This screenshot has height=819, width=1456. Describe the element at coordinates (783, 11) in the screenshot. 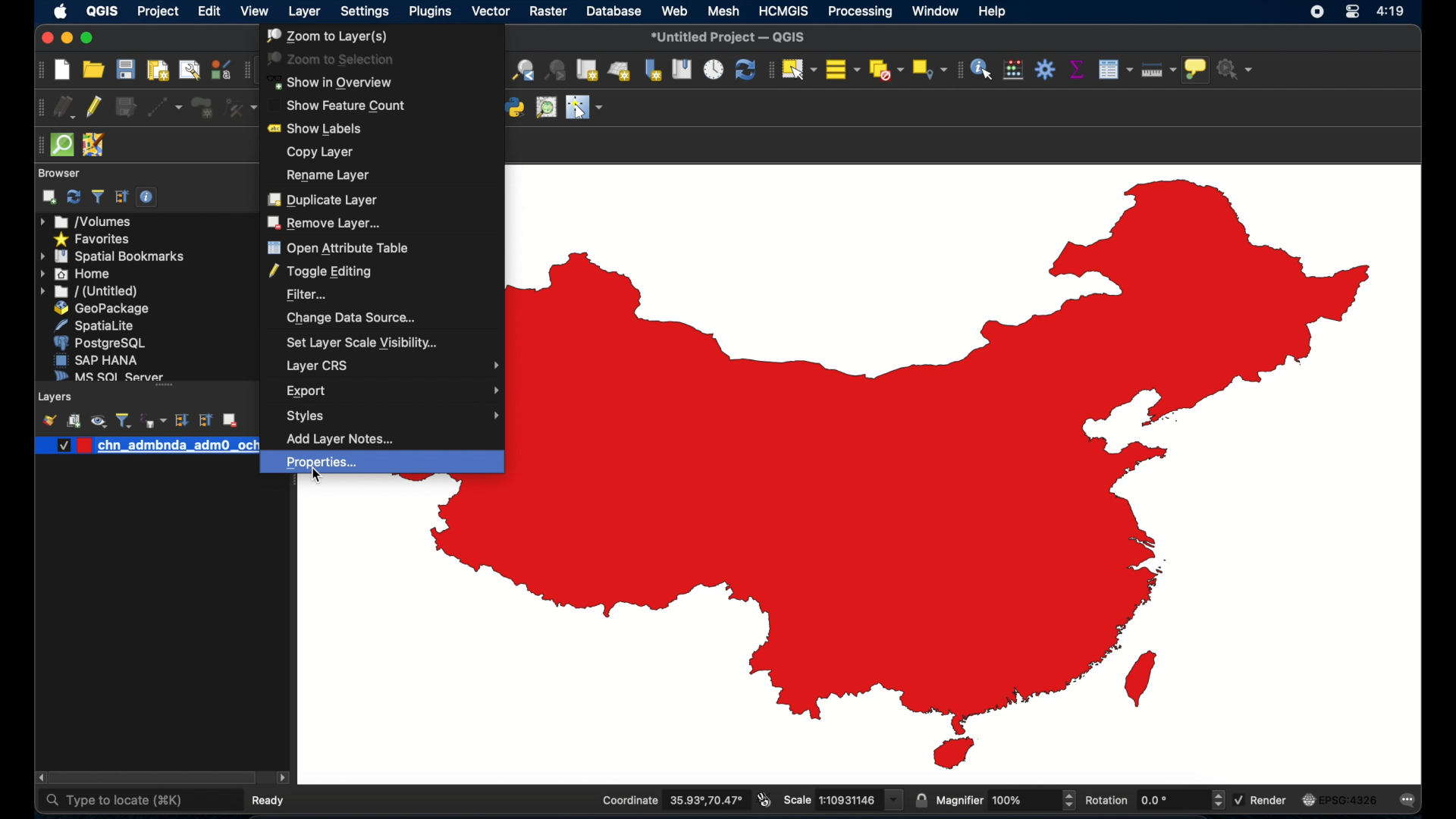

I see `HCMGIS` at that location.